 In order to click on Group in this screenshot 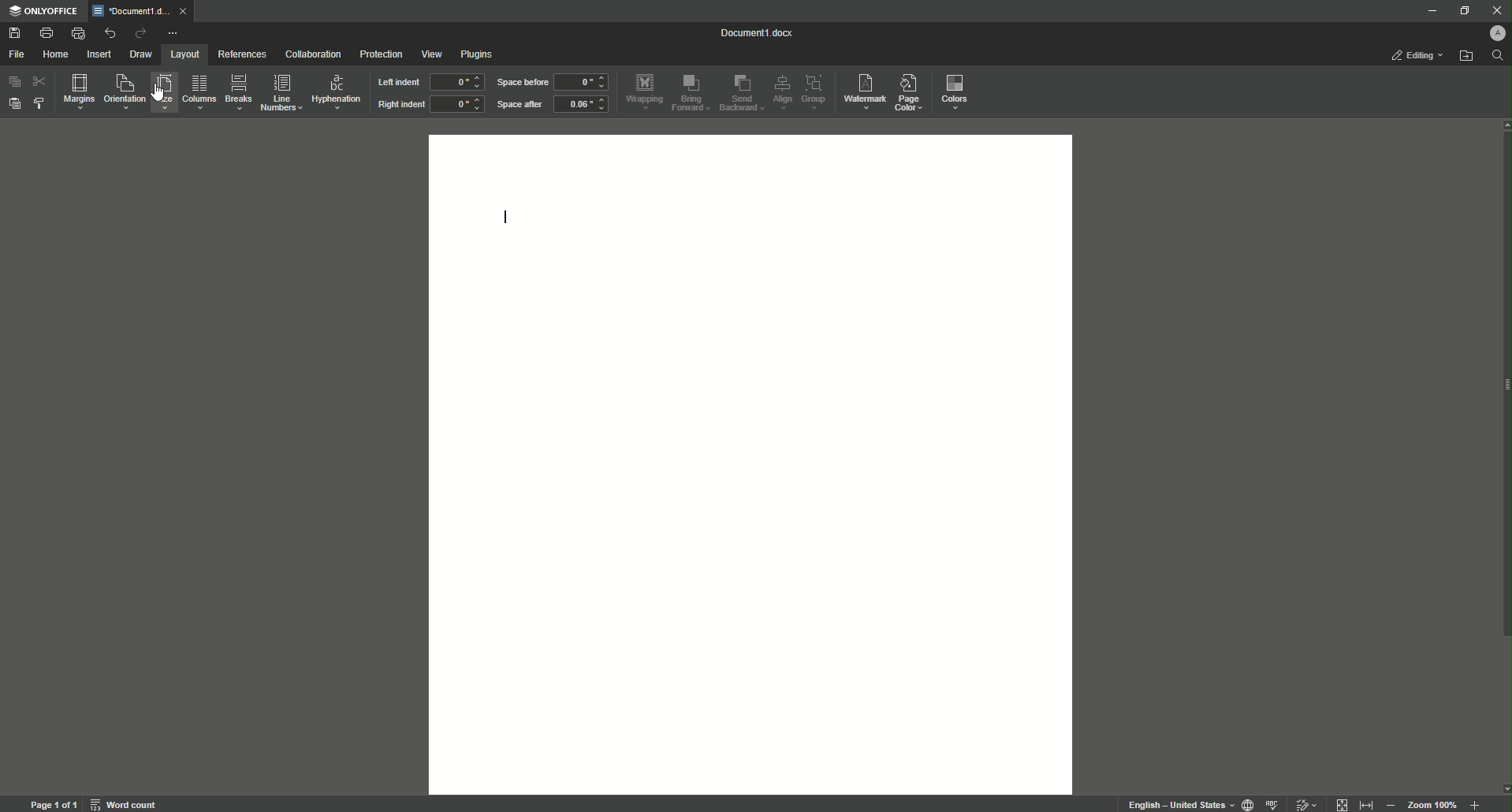, I will do `click(817, 92)`.